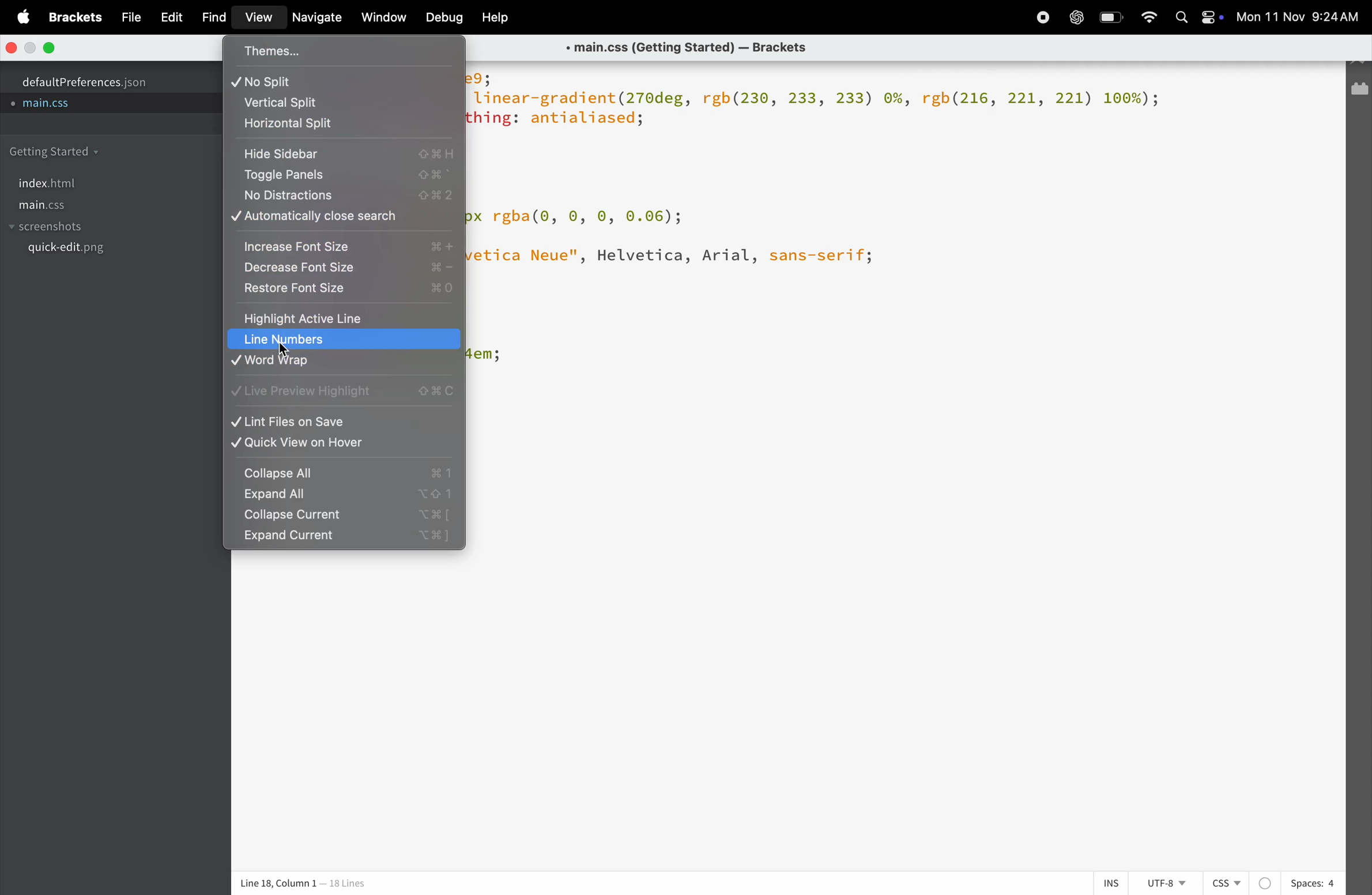  I want to click on increase font size, so click(346, 243).